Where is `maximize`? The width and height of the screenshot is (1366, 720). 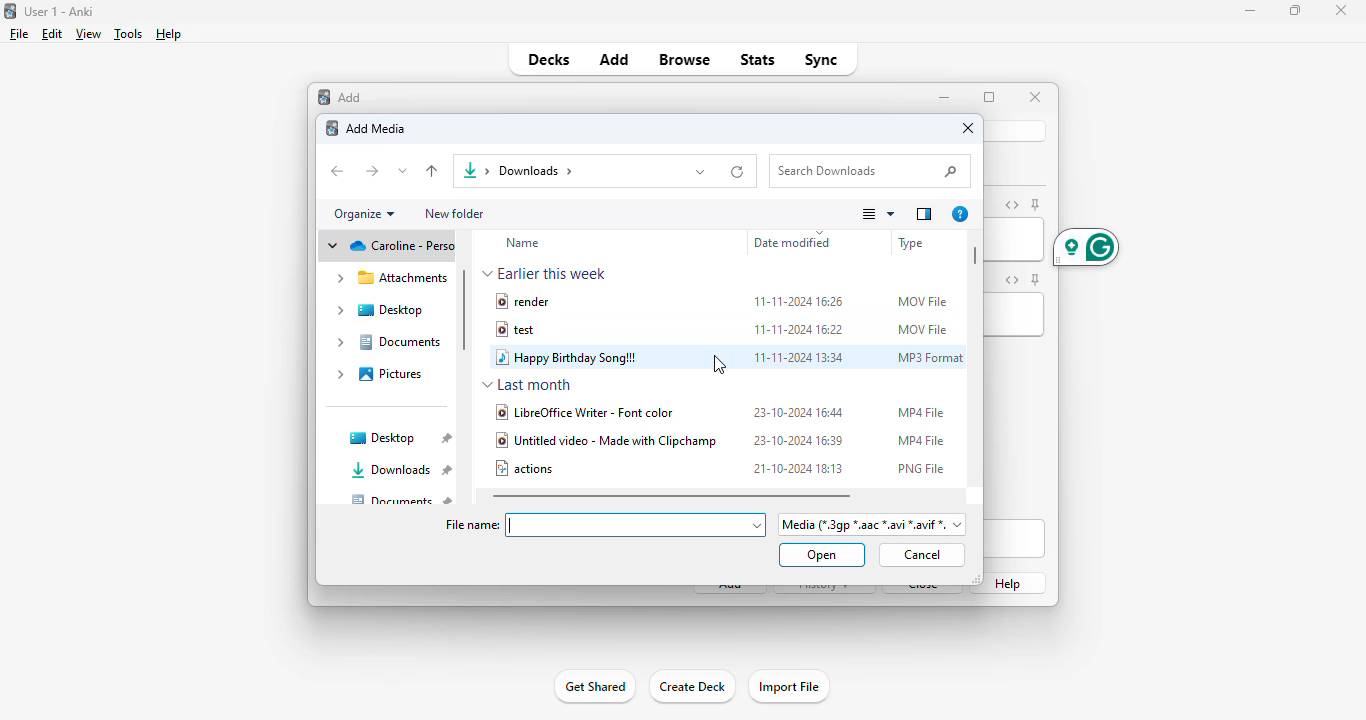 maximize is located at coordinates (1294, 10).